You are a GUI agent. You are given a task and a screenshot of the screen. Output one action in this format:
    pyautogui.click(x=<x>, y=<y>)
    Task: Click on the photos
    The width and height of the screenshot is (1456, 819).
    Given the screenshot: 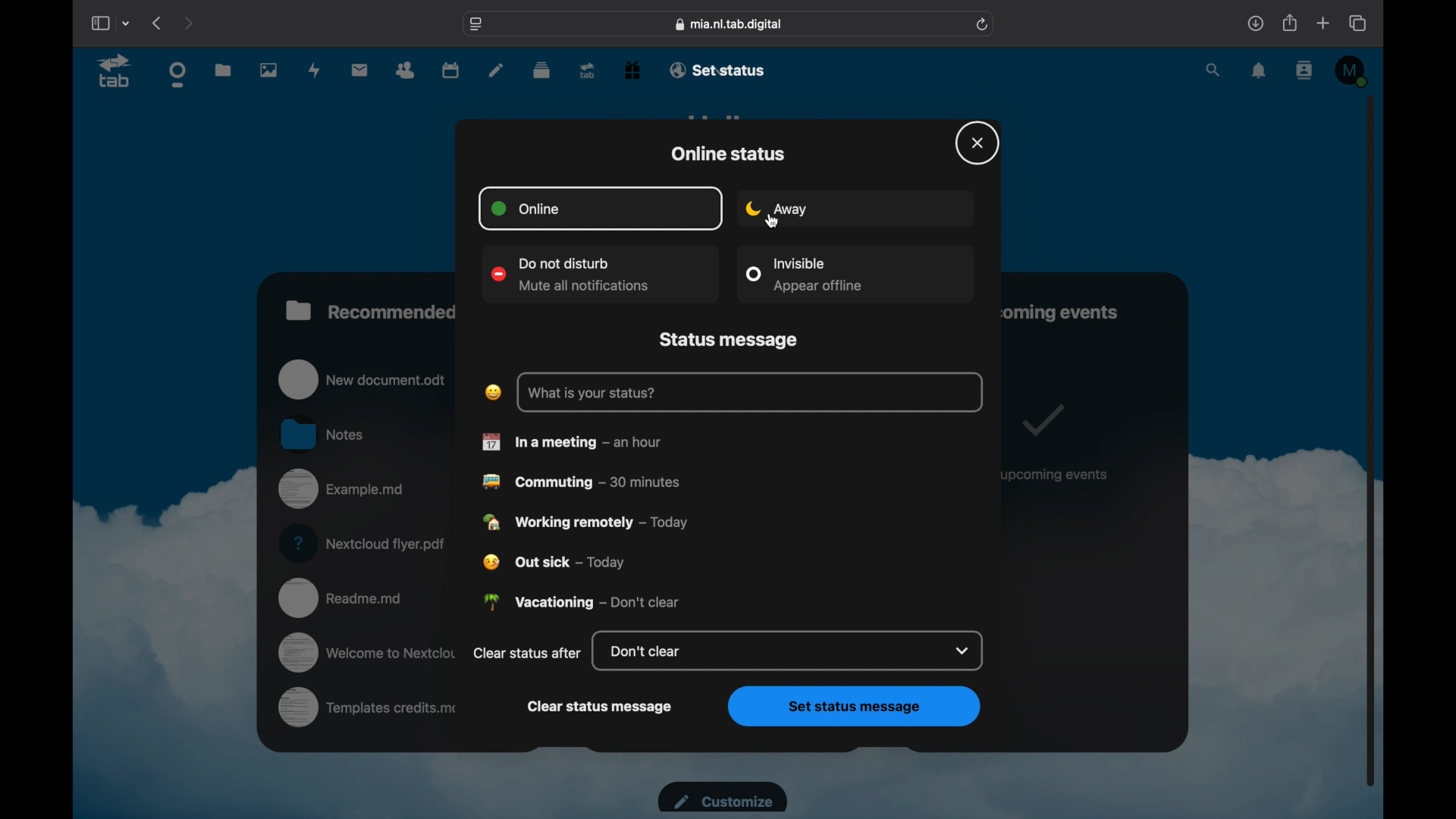 What is the action you would take?
    pyautogui.click(x=268, y=70)
    